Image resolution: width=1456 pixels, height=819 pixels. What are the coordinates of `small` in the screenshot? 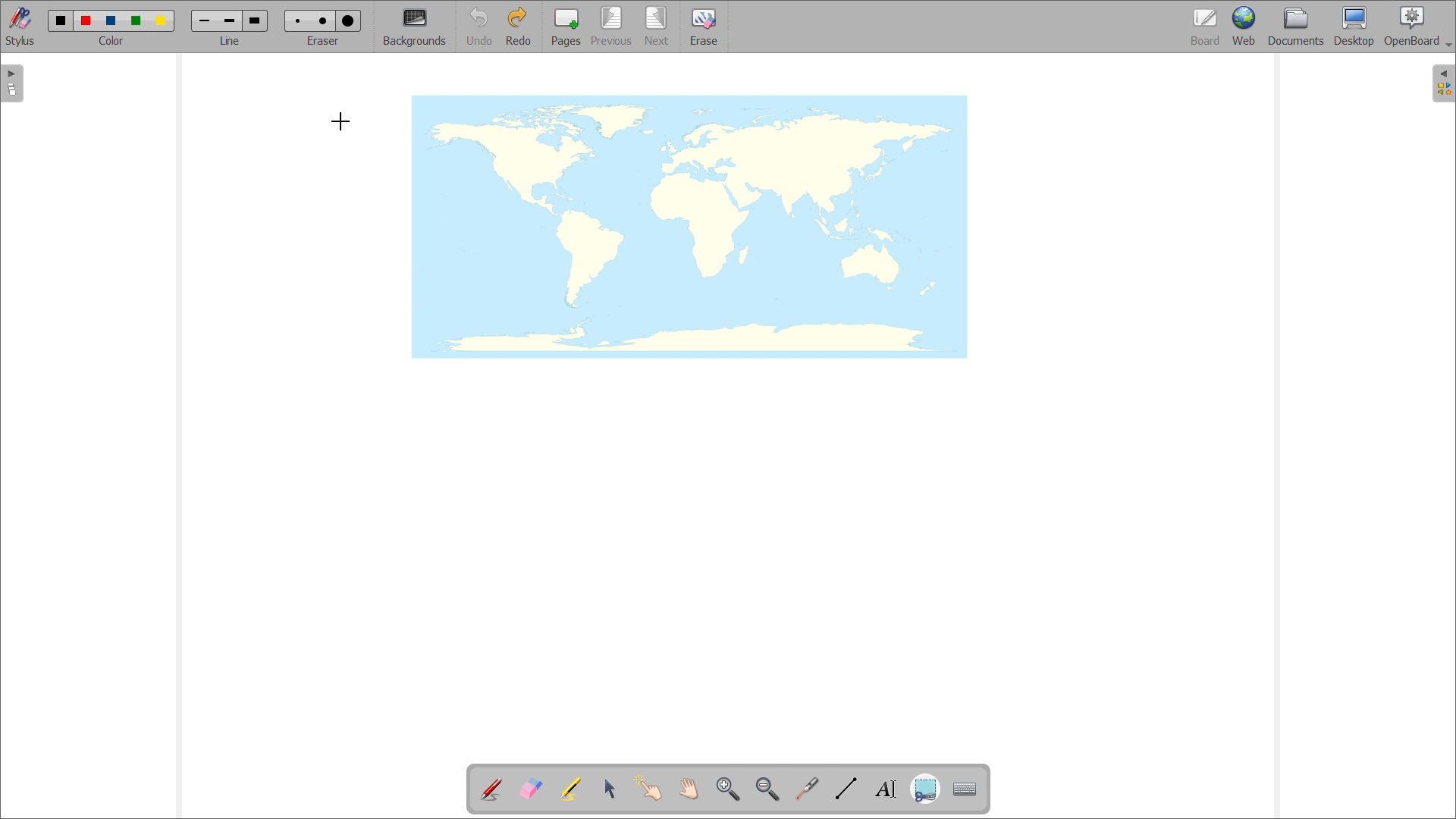 It's located at (296, 20).